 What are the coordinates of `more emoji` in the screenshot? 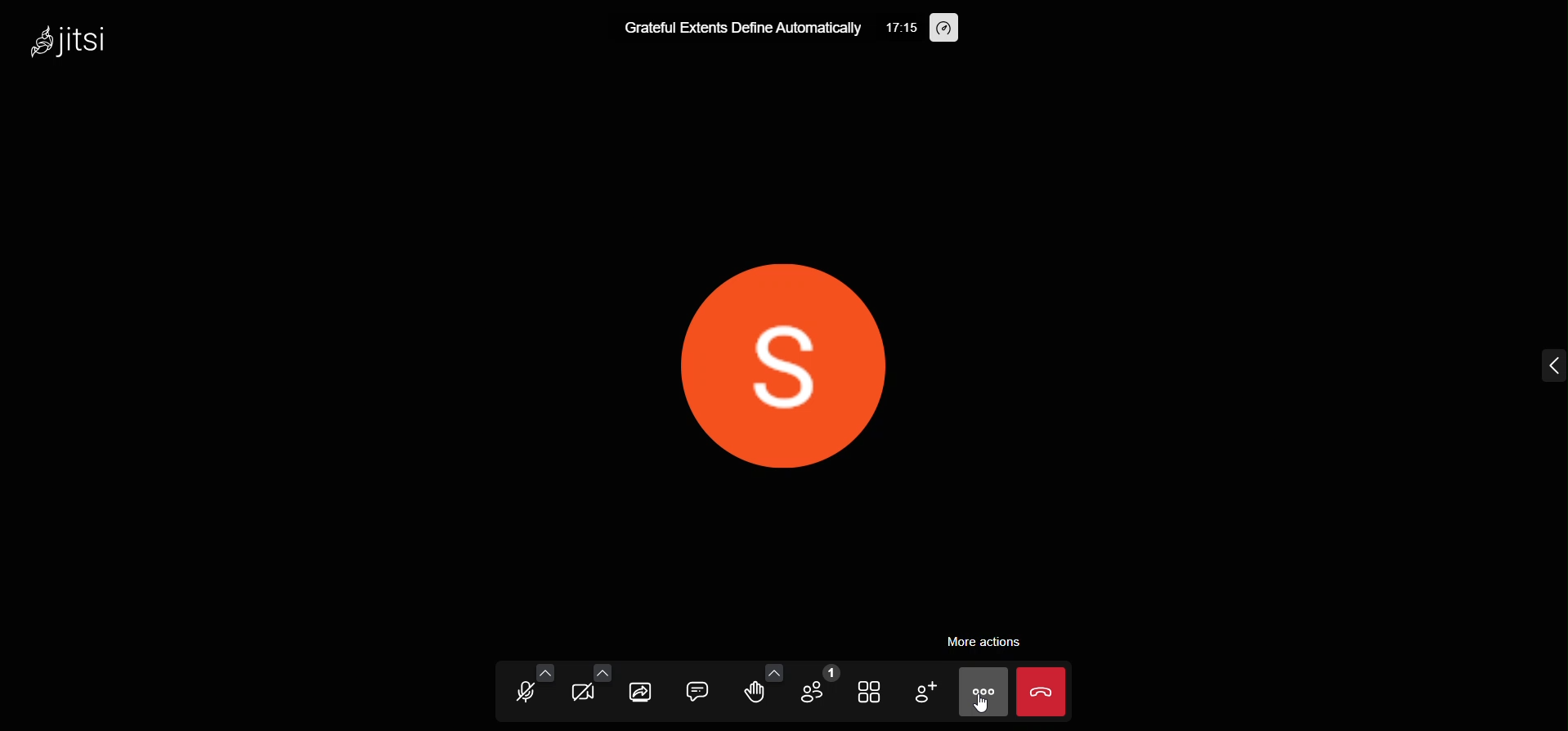 It's located at (773, 670).